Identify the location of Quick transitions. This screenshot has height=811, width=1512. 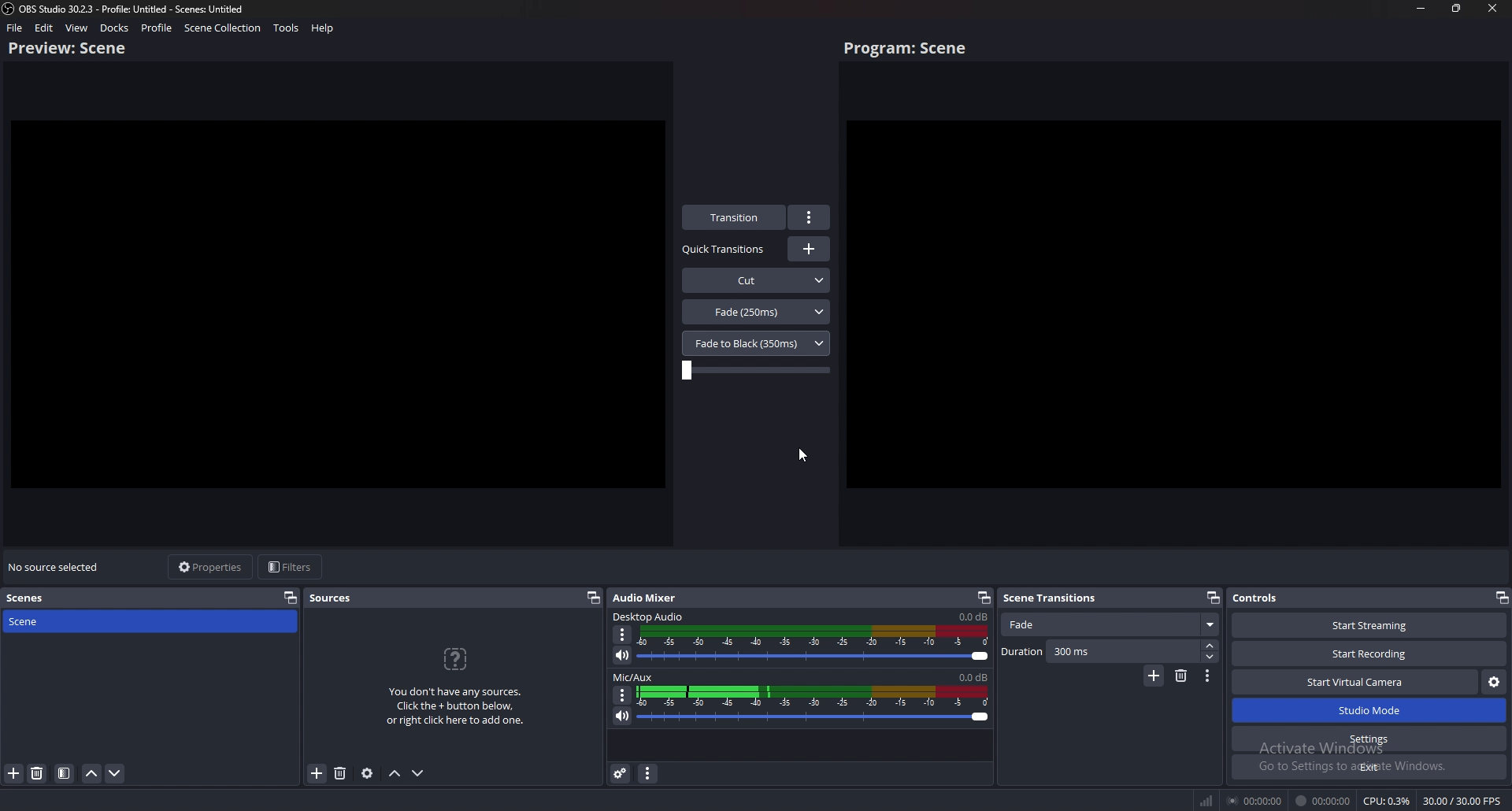
(725, 250).